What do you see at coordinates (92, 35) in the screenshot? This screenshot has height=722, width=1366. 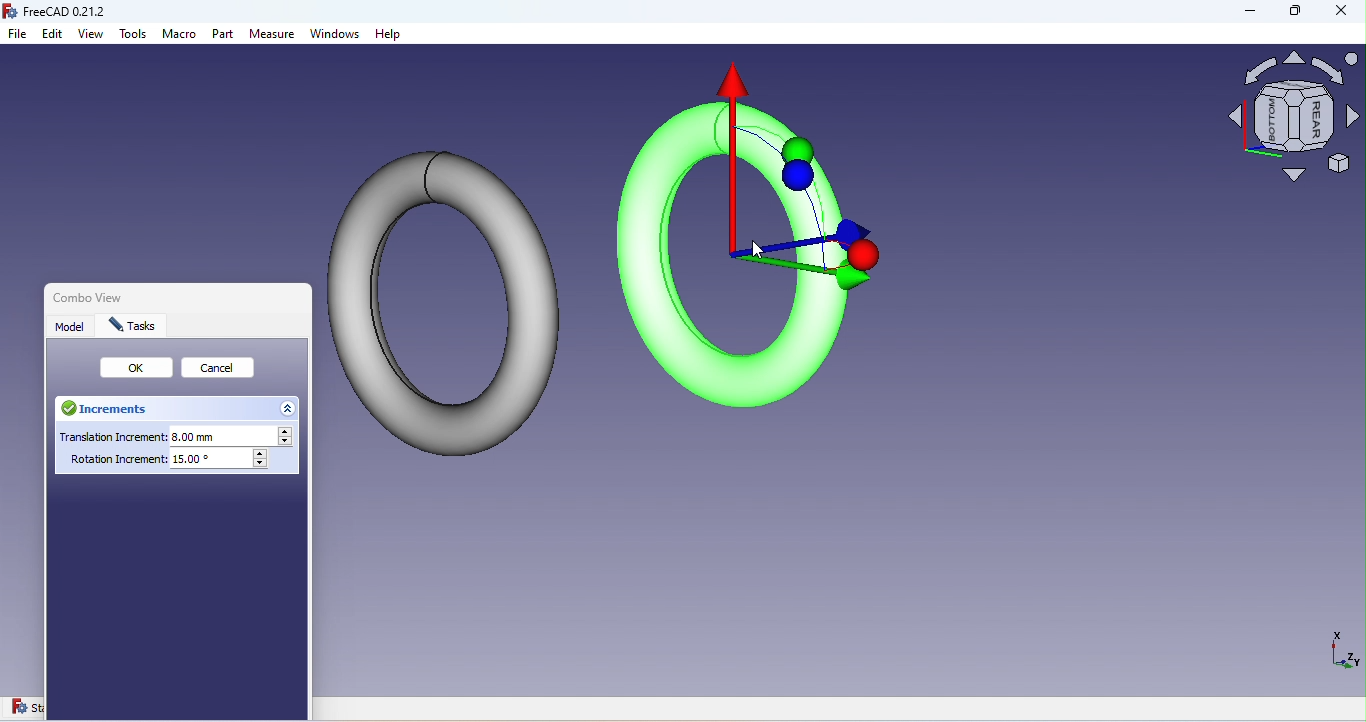 I see `View` at bounding box center [92, 35].